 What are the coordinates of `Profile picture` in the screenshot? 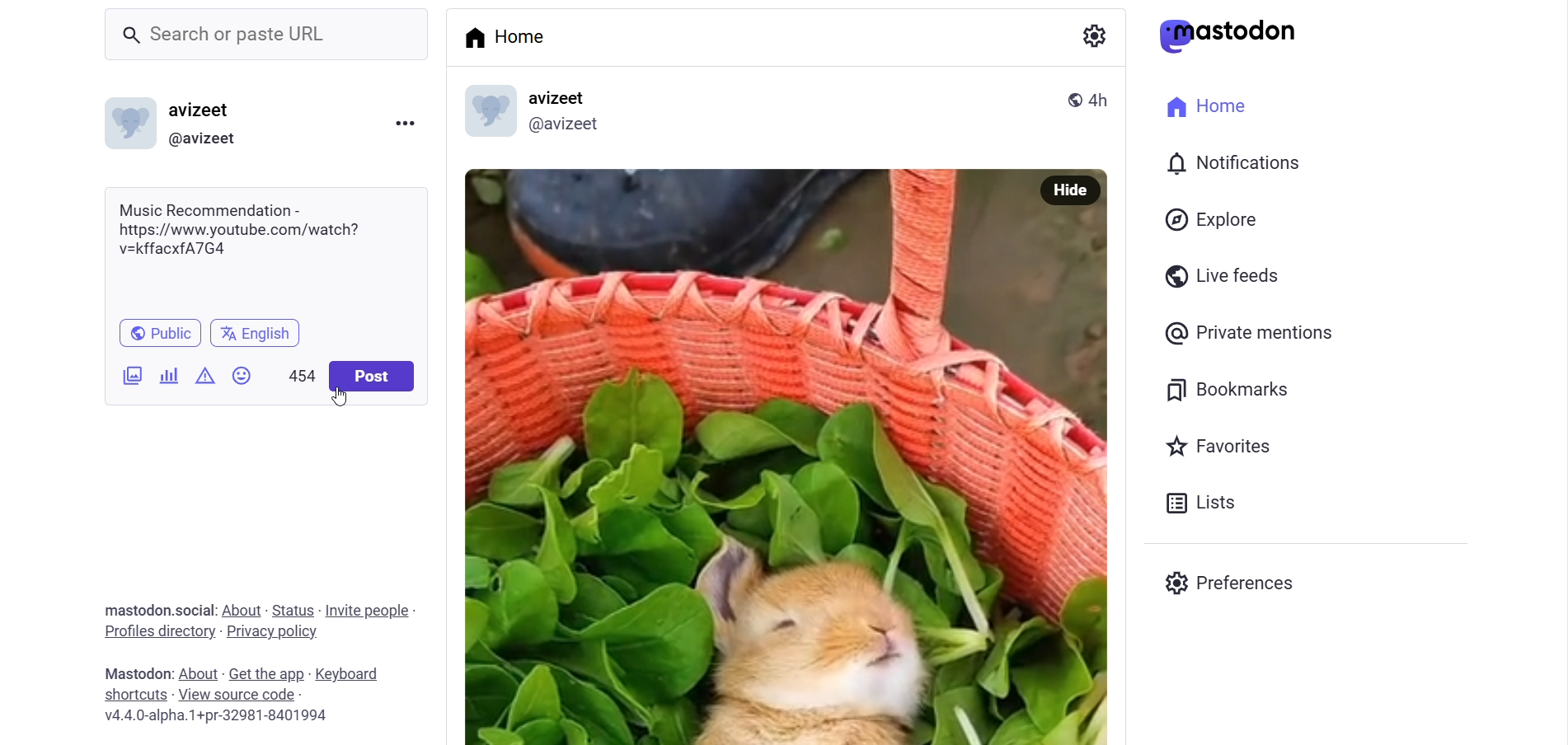 It's located at (129, 124).